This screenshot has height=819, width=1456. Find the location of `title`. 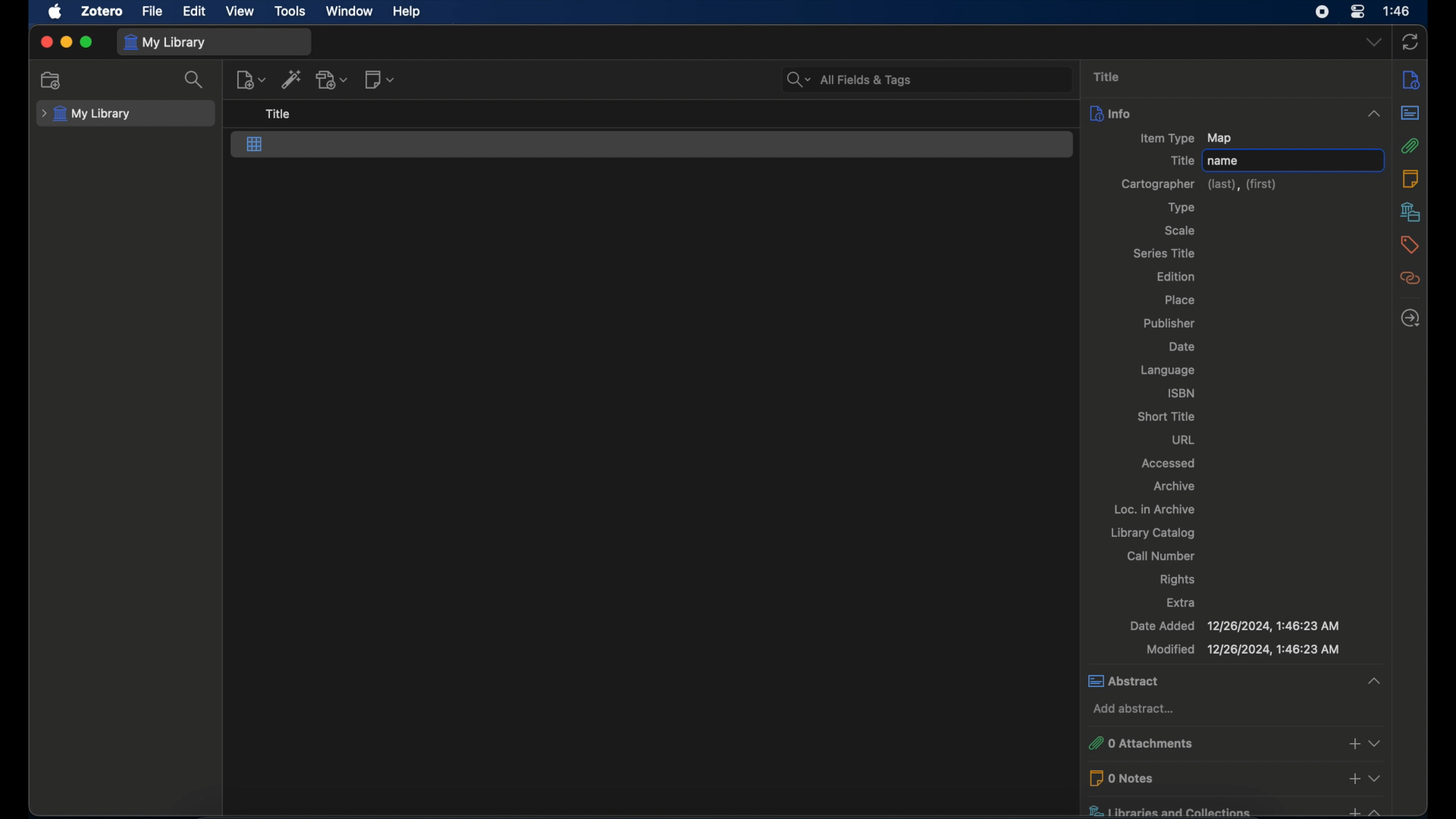

title is located at coordinates (1107, 76).